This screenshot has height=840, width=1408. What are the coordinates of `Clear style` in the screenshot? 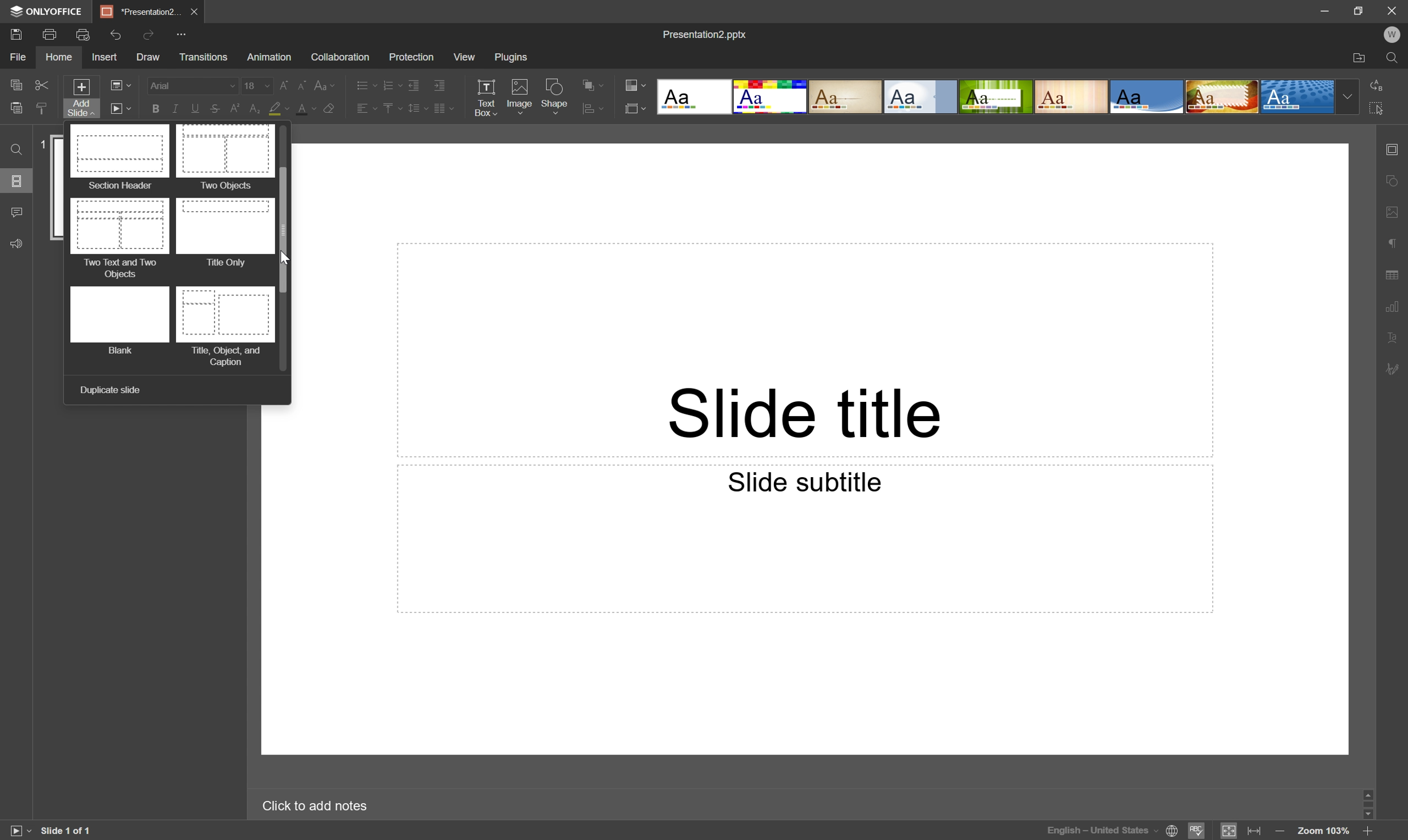 It's located at (330, 111).